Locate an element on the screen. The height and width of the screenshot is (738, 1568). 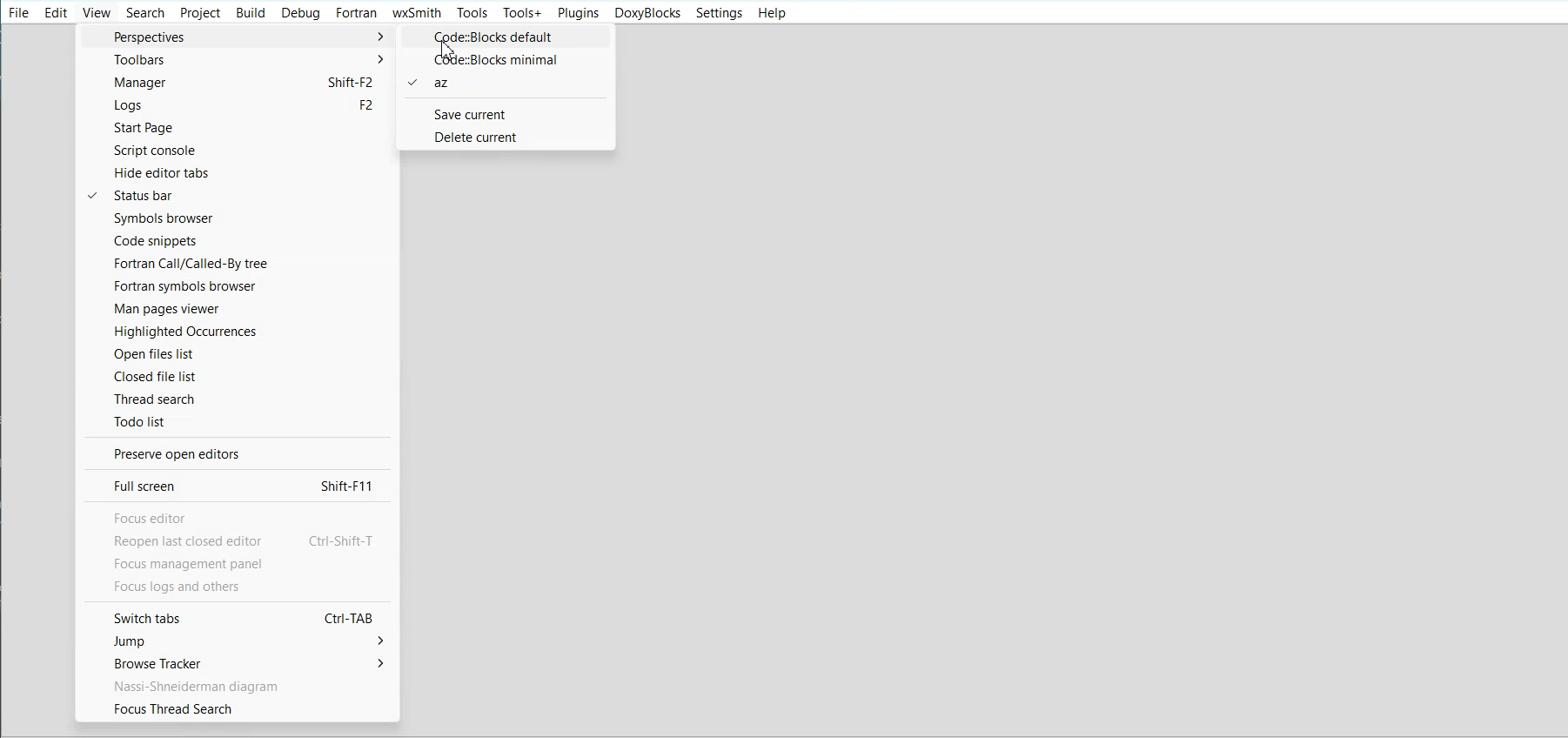
Toolbars is located at coordinates (238, 61).